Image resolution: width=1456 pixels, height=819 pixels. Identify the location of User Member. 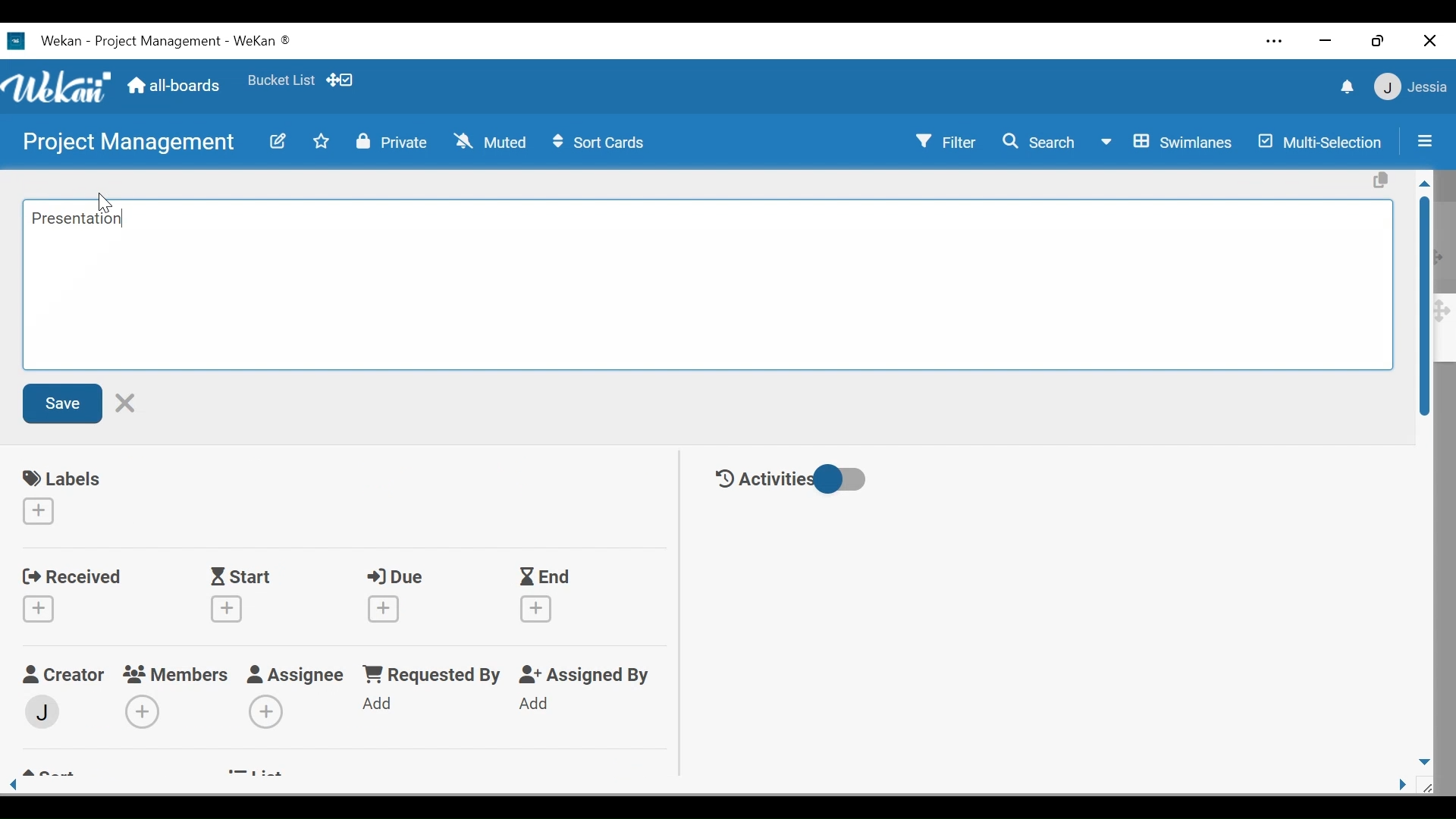
(1411, 86).